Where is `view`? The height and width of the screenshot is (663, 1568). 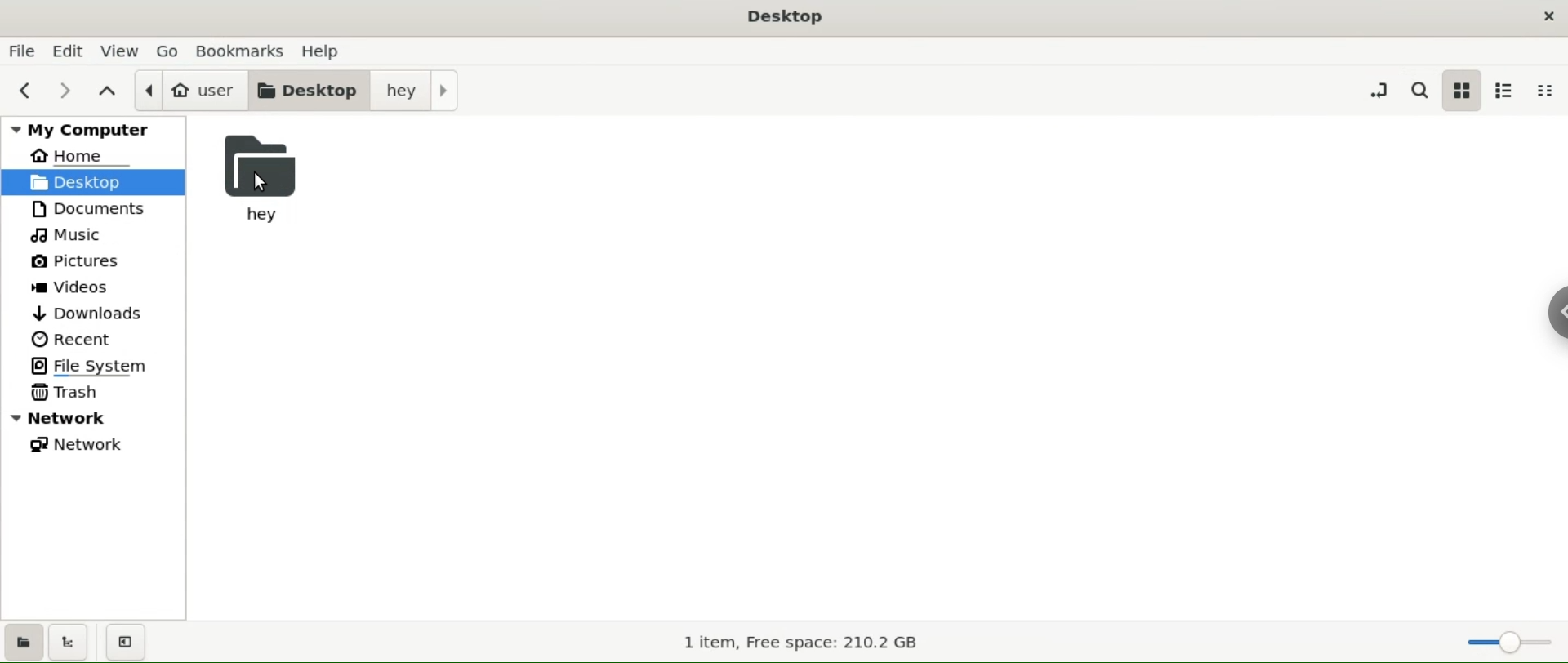 view is located at coordinates (119, 51).